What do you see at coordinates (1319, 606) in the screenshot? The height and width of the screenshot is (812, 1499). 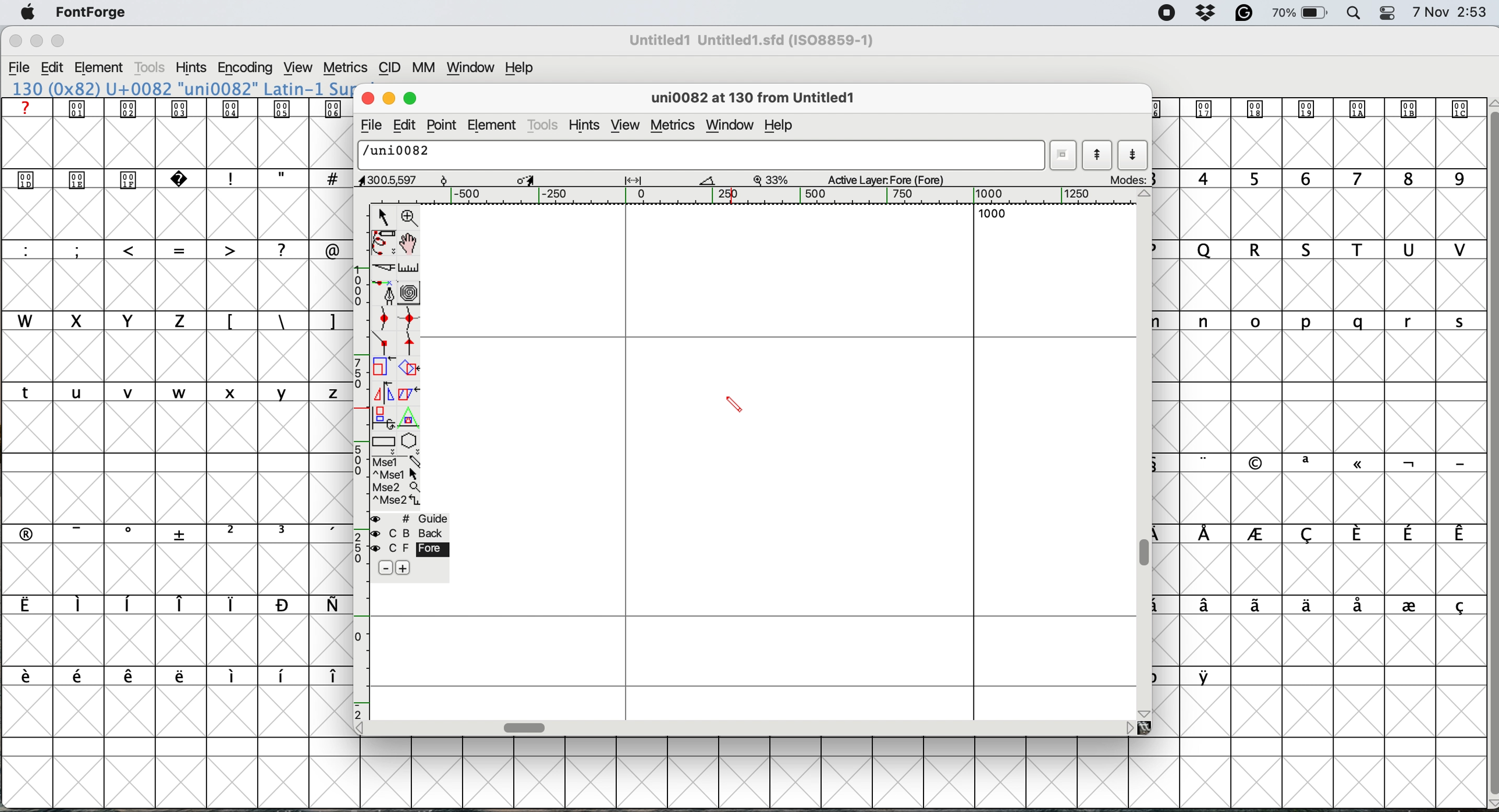 I see `special characters` at bounding box center [1319, 606].